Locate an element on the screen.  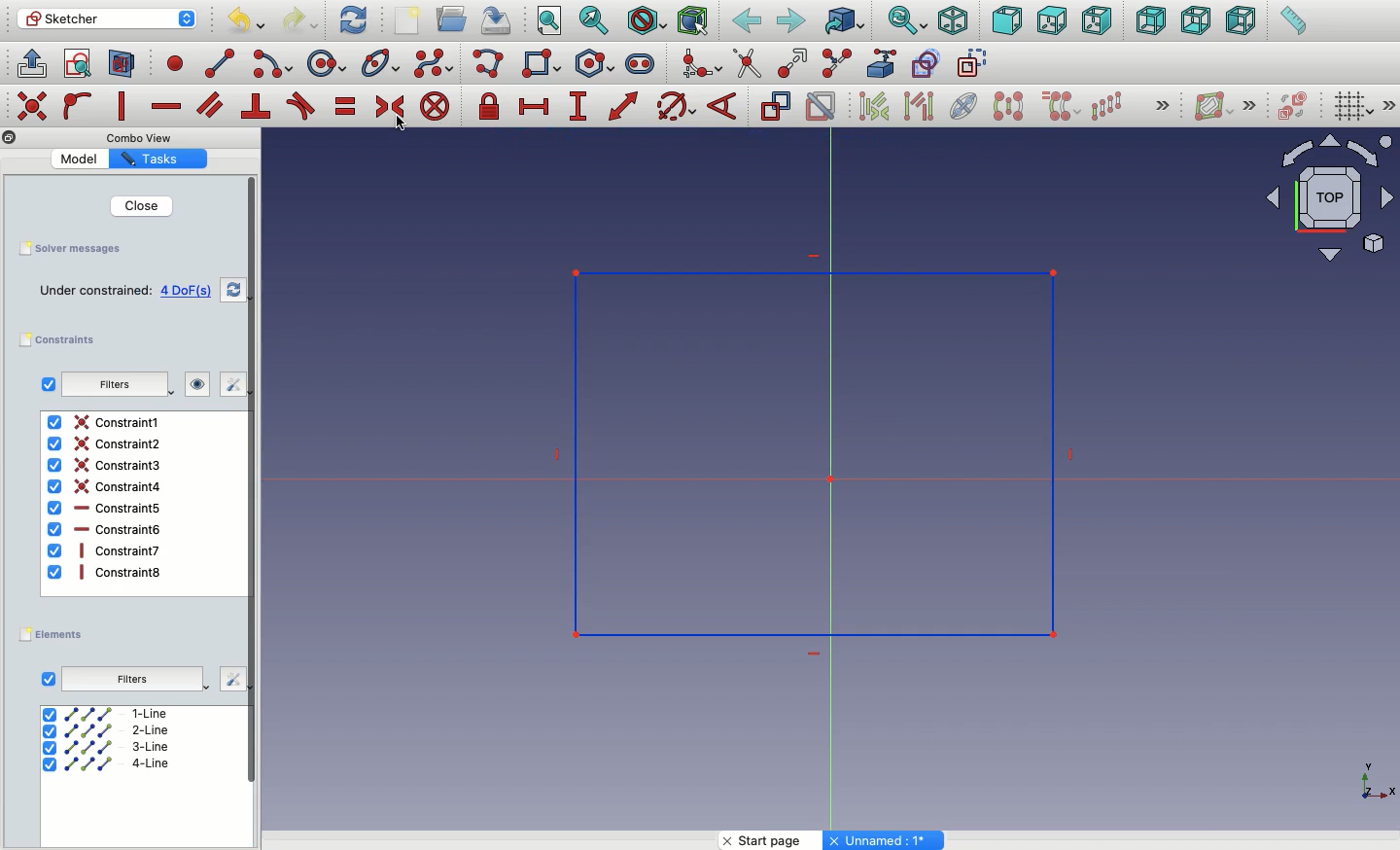
Save is located at coordinates (69, 247).